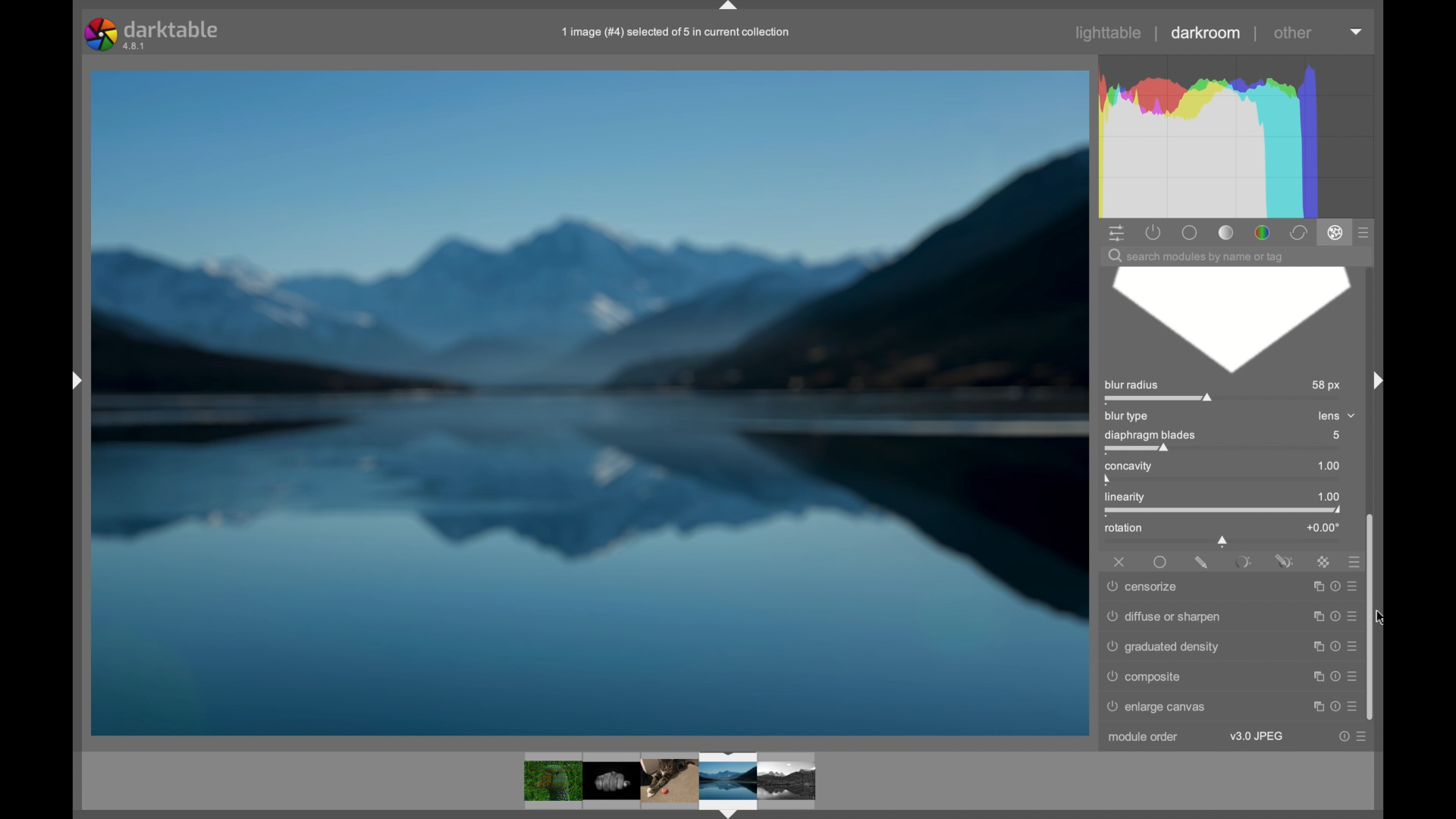 The width and height of the screenshot is (1456, 819). I want to click on presets, so click(1365, 232).